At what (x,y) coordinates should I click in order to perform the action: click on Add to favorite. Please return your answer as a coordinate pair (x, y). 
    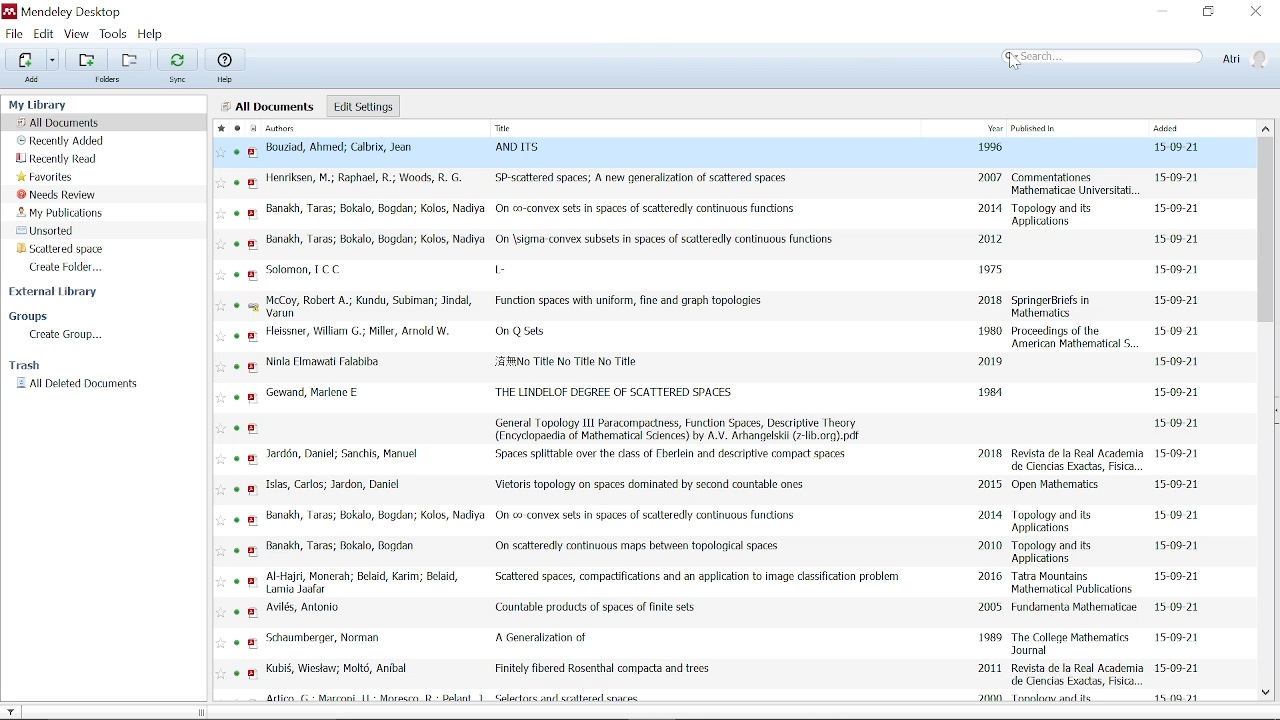
    Looking at the image, I should click on (221, 398).